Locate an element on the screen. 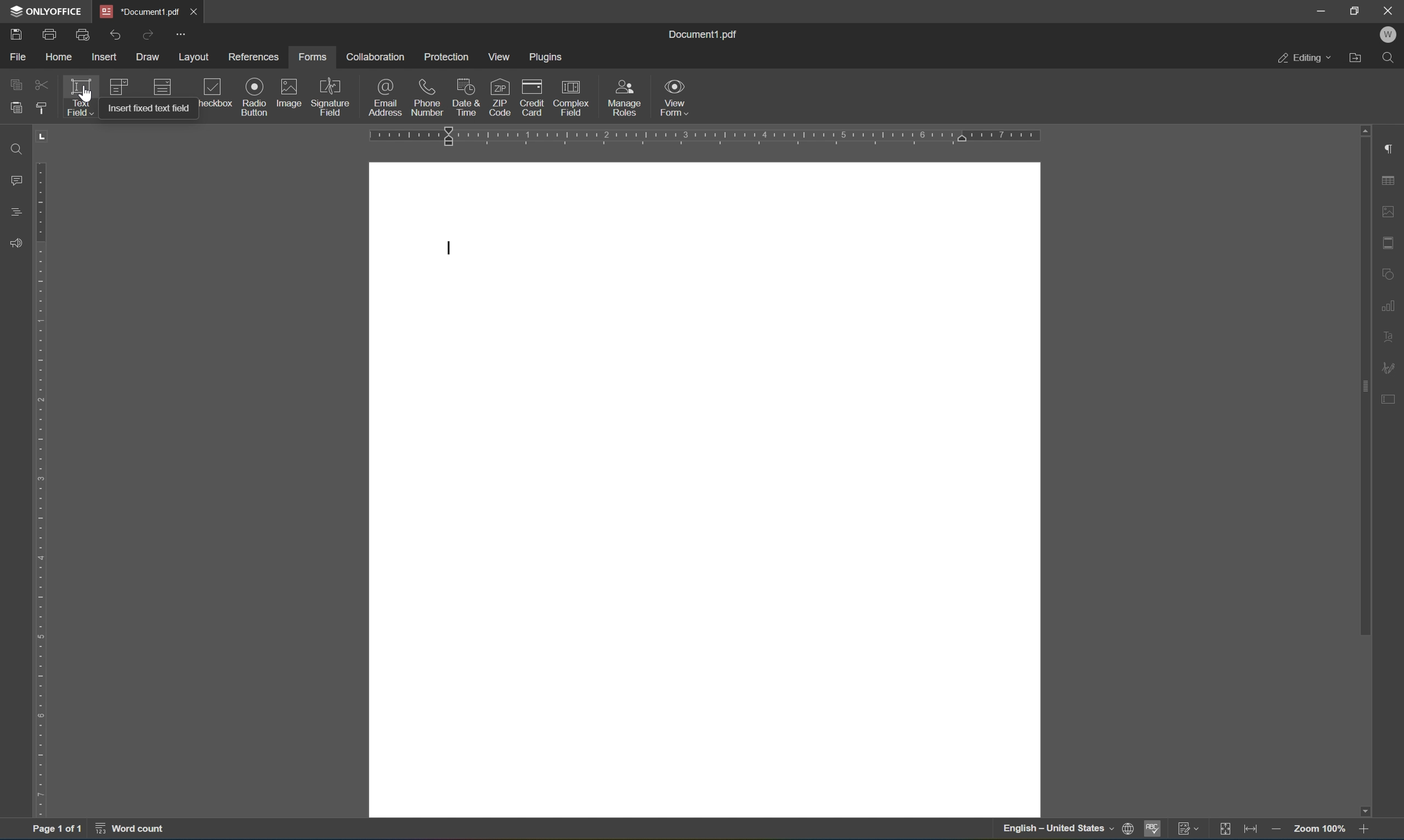  document1.pdf is located at coordinates (701, 32).